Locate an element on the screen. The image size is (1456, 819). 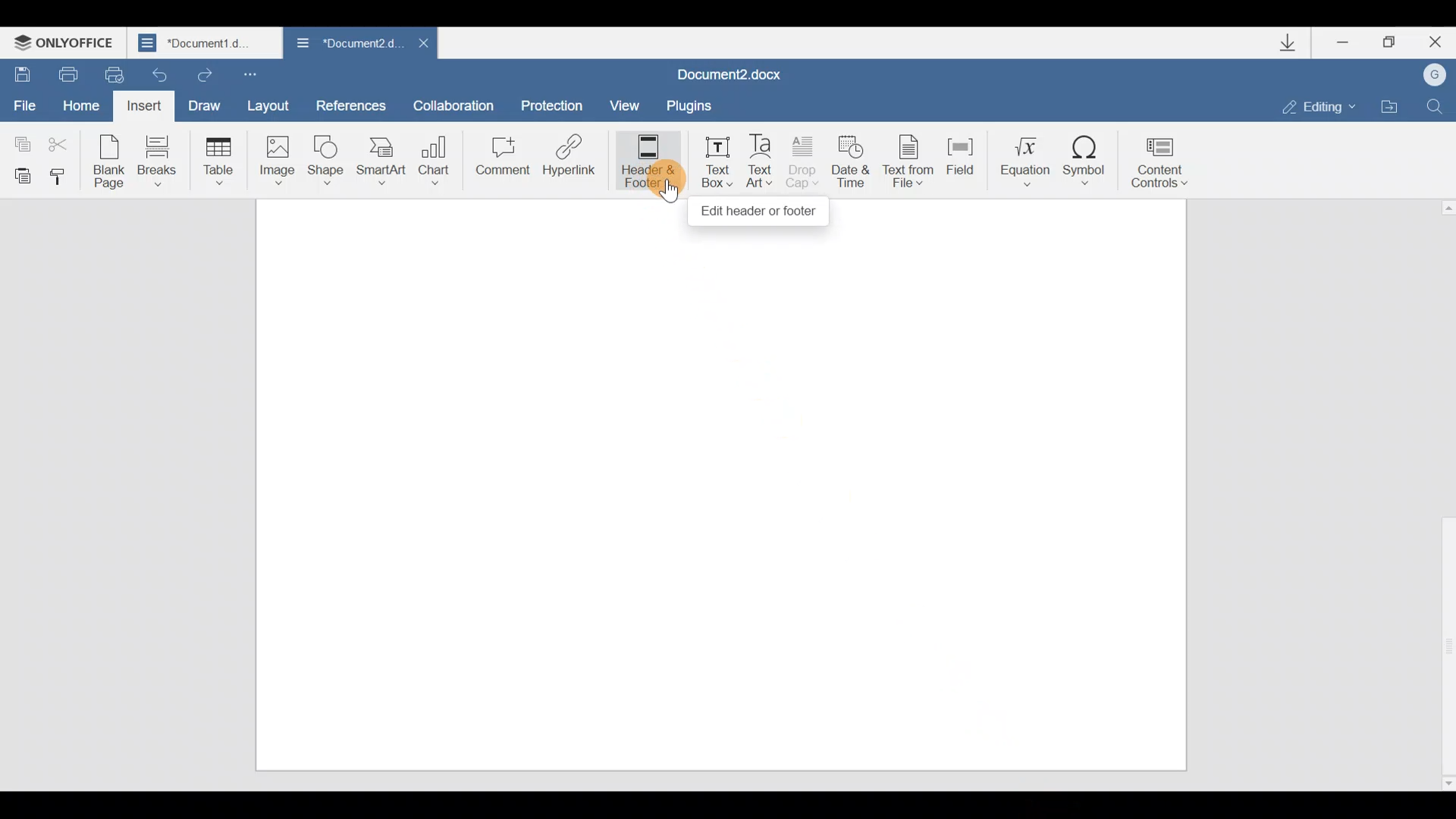
Symbol is located at coordinates (1090, 155).